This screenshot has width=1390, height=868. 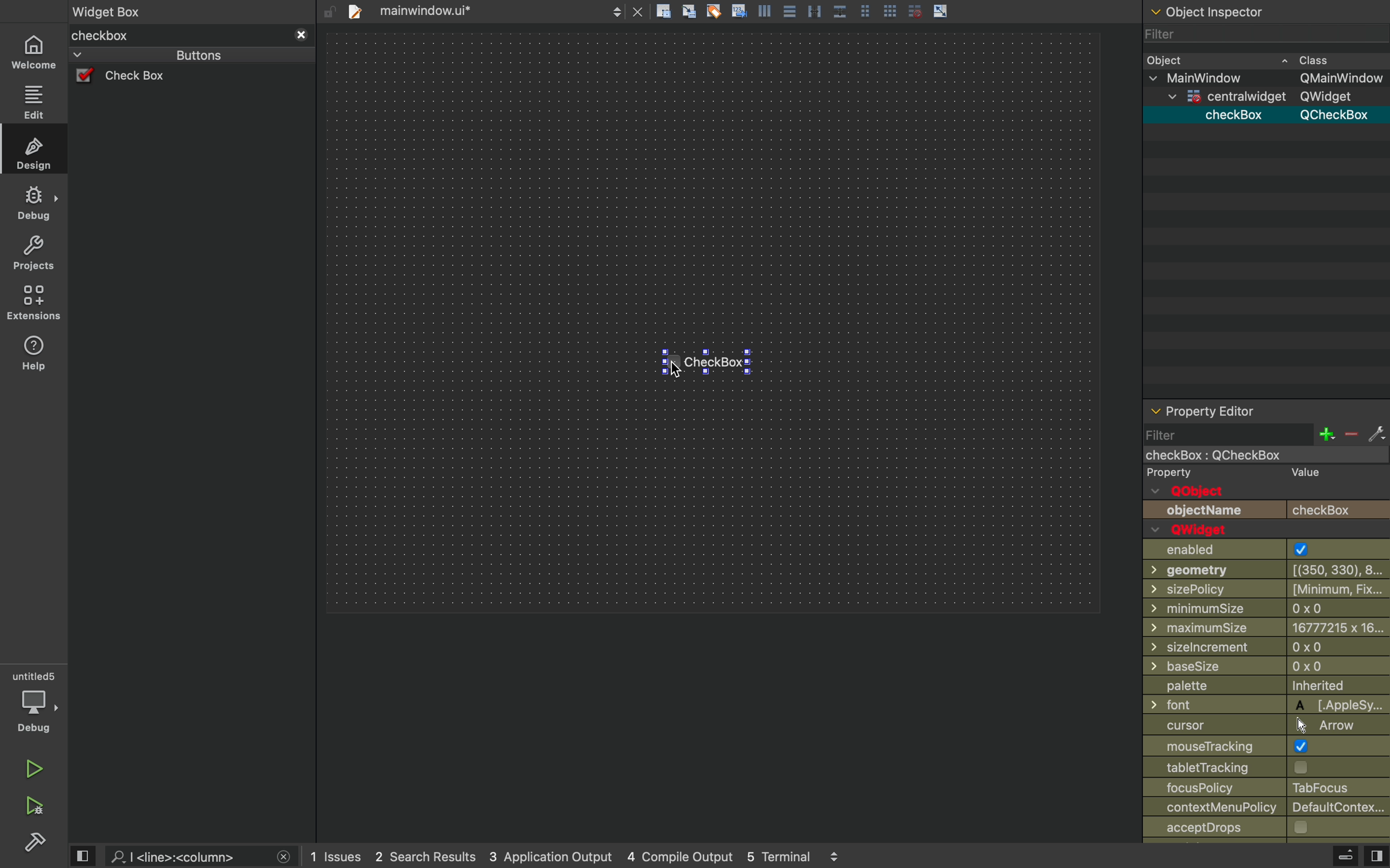 I want to click on design, so click(x=34, y=152).